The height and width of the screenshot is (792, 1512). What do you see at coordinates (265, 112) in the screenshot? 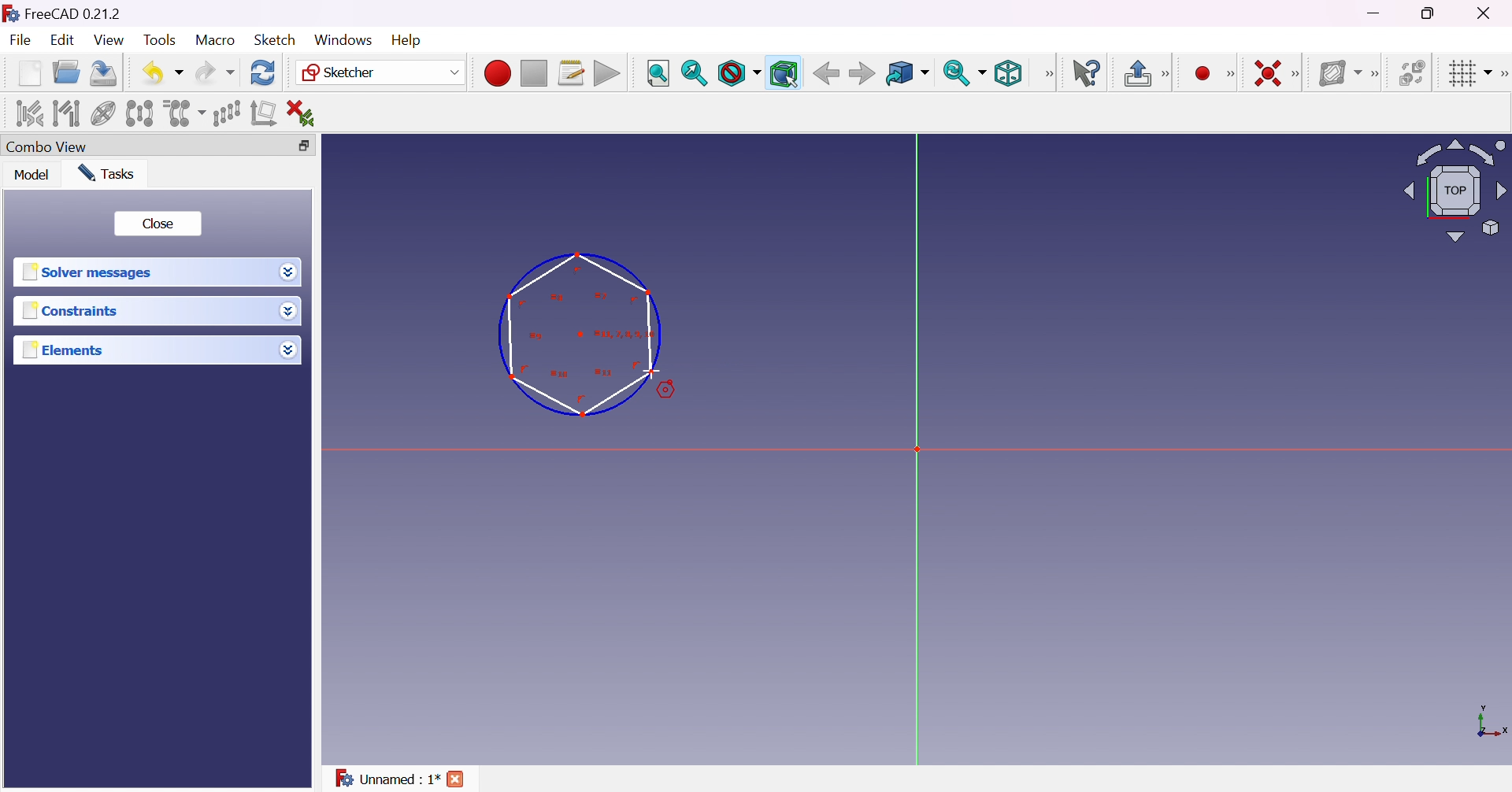
I see `Remove axis alignment` at bounding box center [265, 112].